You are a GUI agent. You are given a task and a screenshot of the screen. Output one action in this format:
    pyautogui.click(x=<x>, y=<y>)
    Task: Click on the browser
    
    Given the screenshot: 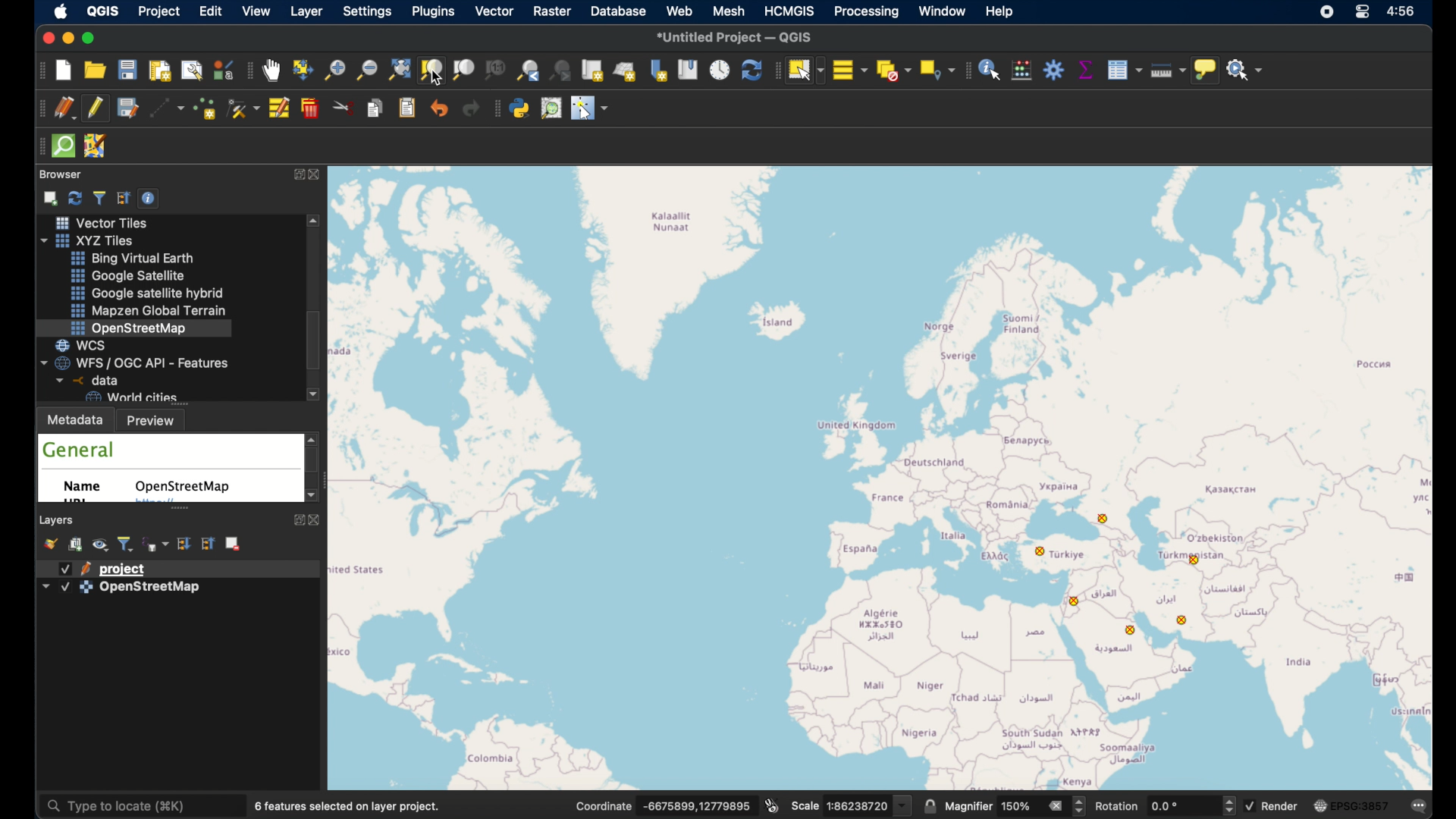 What is the action you would take?
    pyautogui.click(x=61, y=174)
    